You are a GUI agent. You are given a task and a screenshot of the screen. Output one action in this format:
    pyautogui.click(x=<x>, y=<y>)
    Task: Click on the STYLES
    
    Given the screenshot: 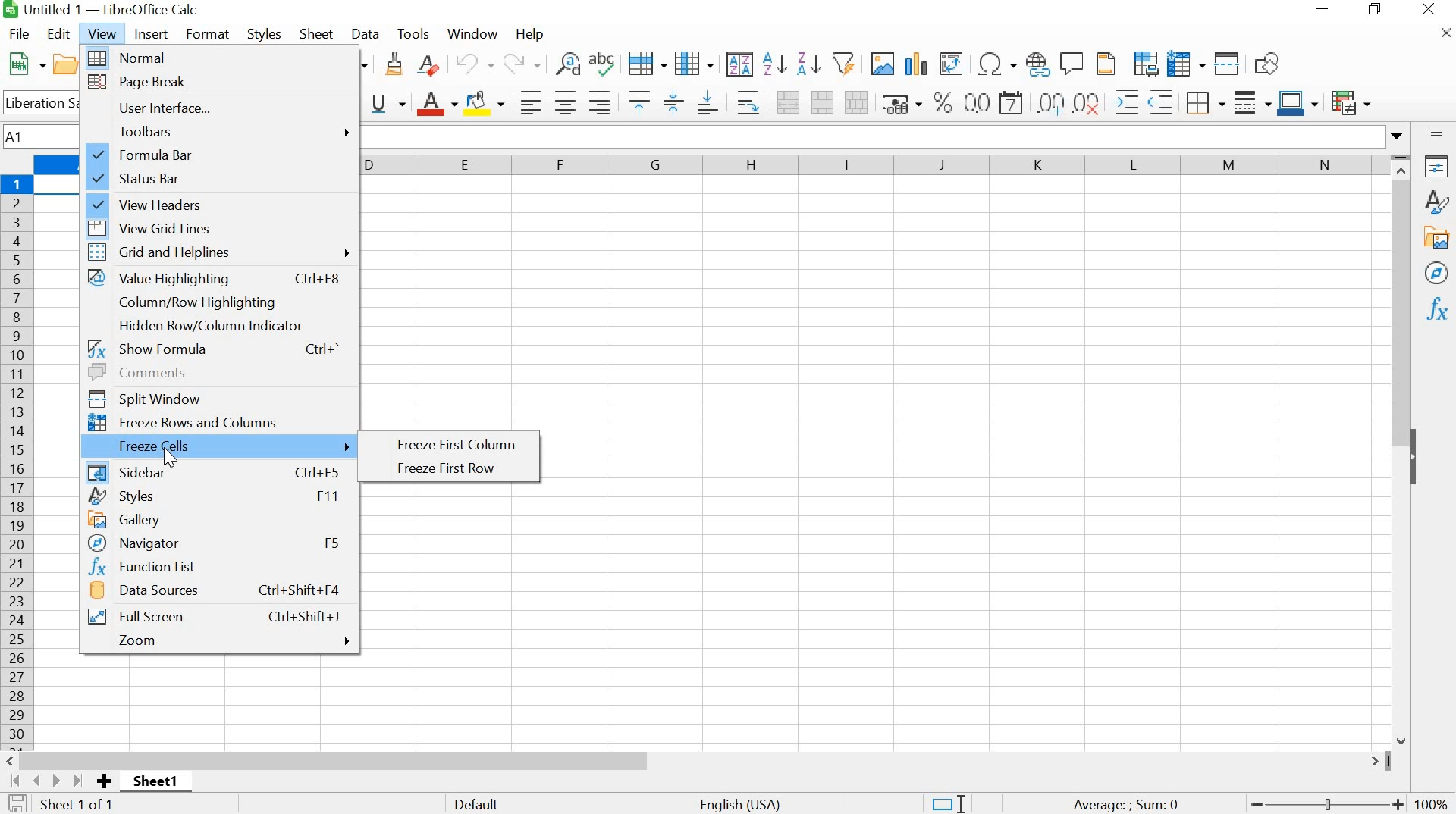 What is the action you would take?
    pyautogui.click(x=265, y=33)
    